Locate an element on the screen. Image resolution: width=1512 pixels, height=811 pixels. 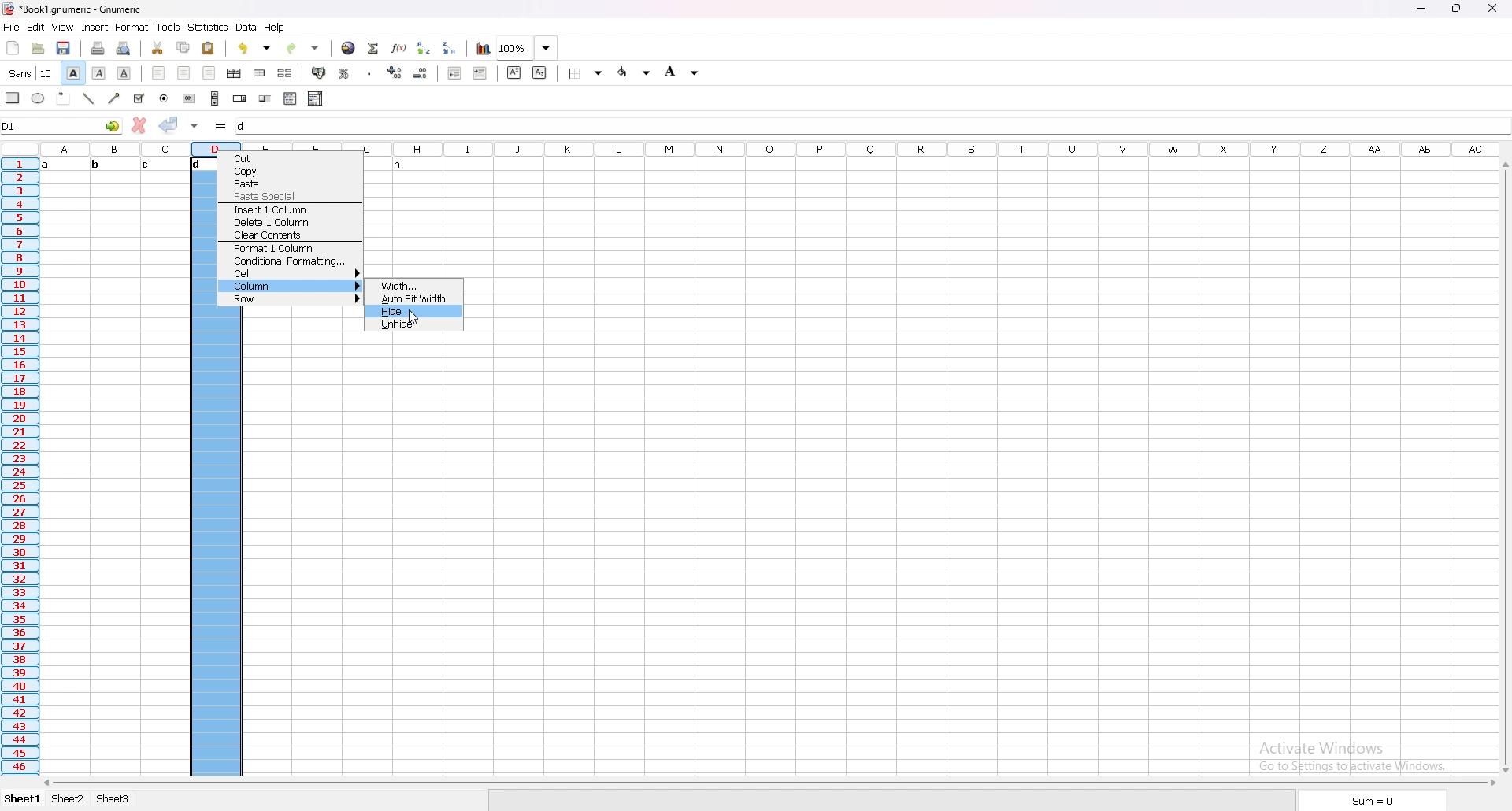
cell input is located at coordinates (872, 126).